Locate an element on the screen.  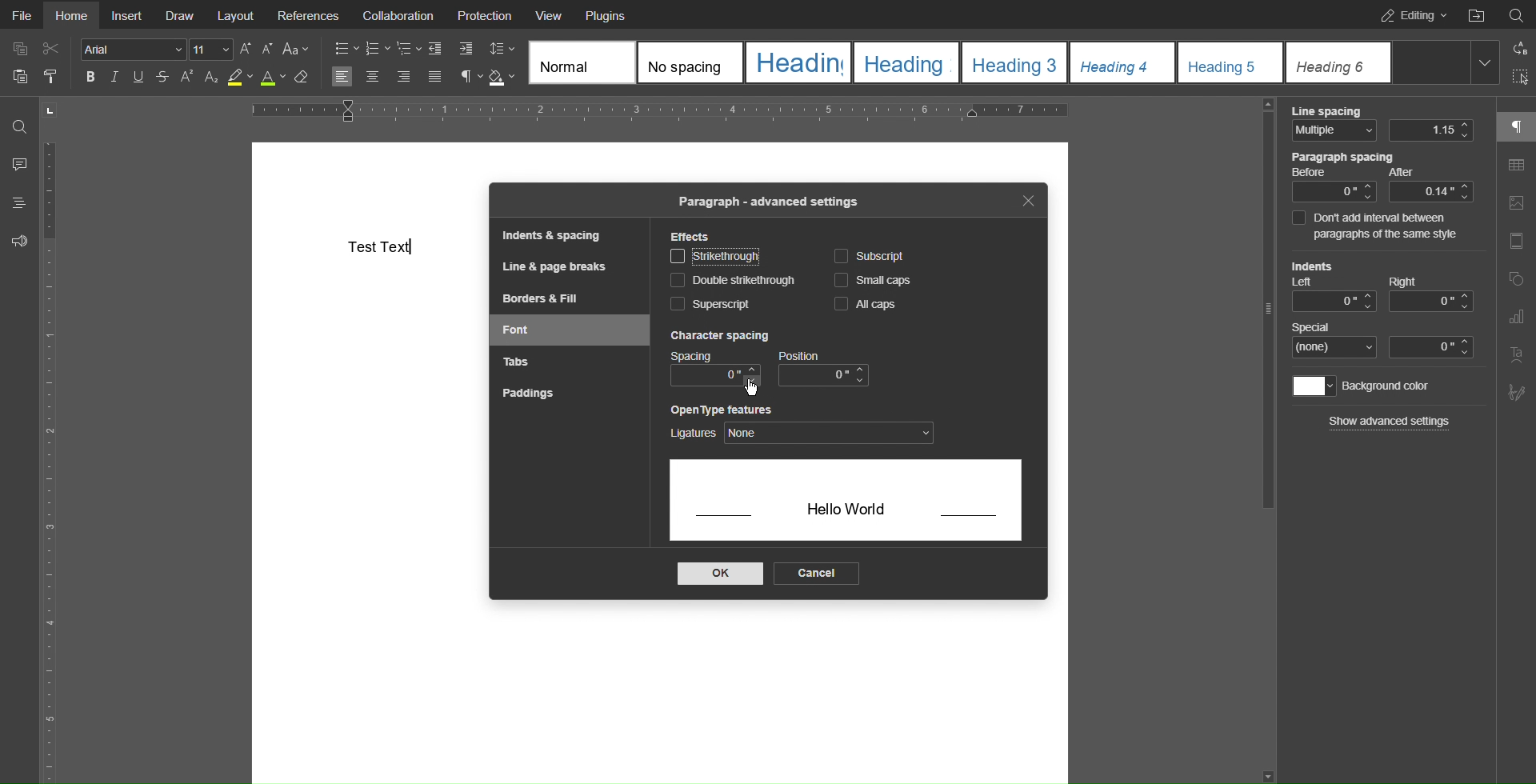
Indents is located at coordinates (450, 50).